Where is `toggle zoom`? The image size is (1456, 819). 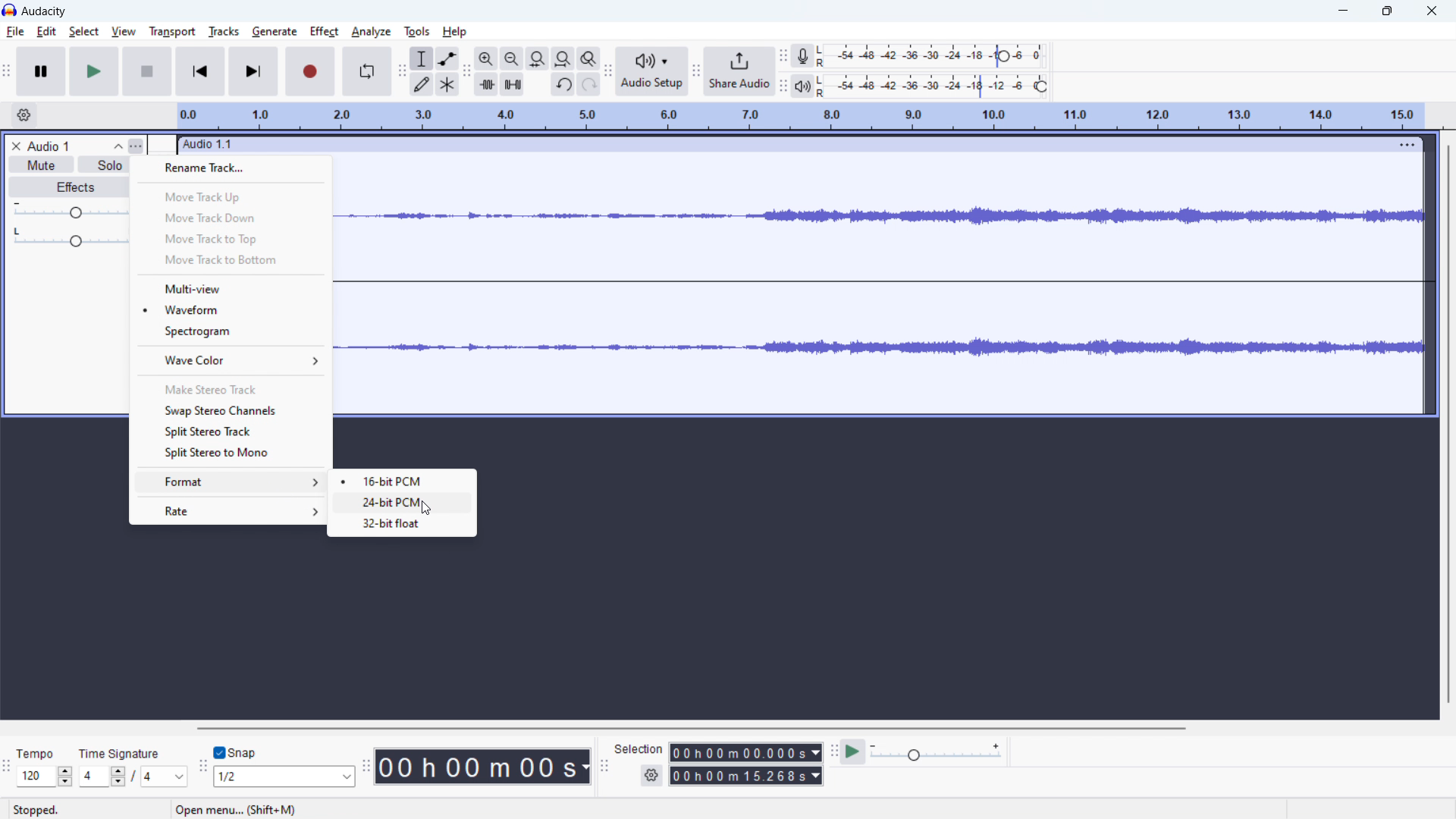 toggle zoom is located at coordinates (589, 58).